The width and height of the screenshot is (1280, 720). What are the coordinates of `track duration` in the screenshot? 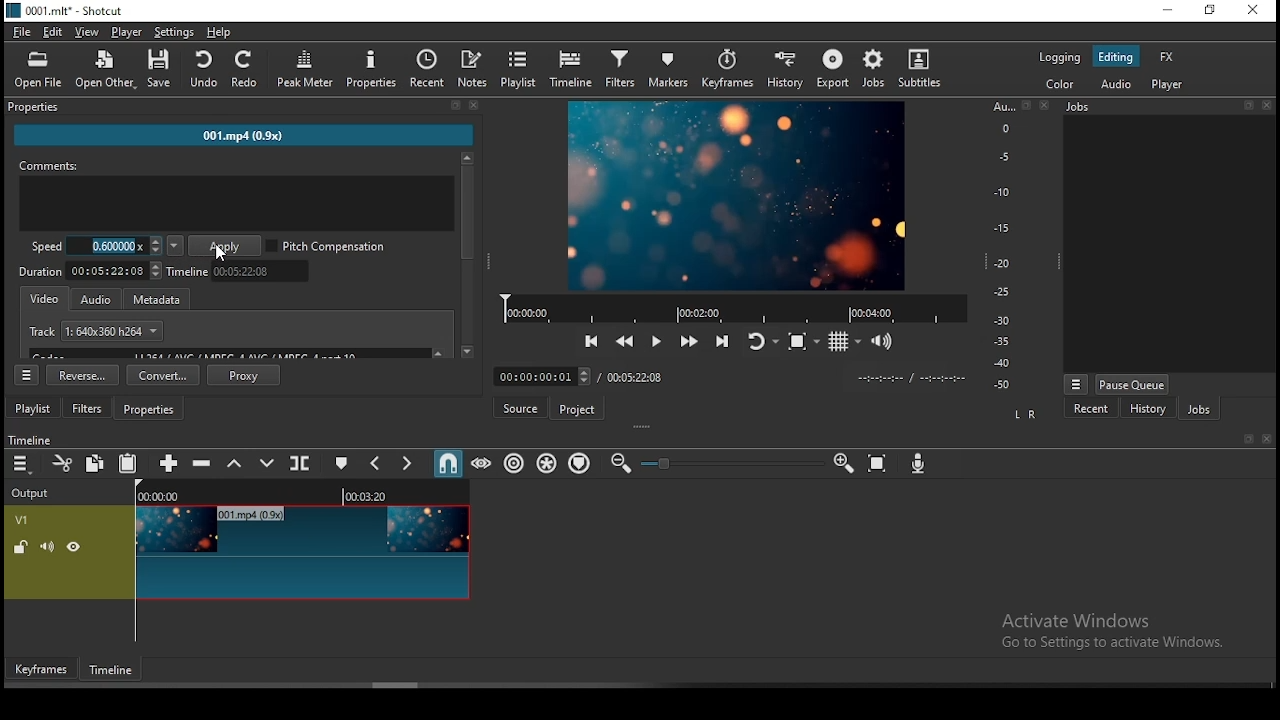 It's located at (635, 379).